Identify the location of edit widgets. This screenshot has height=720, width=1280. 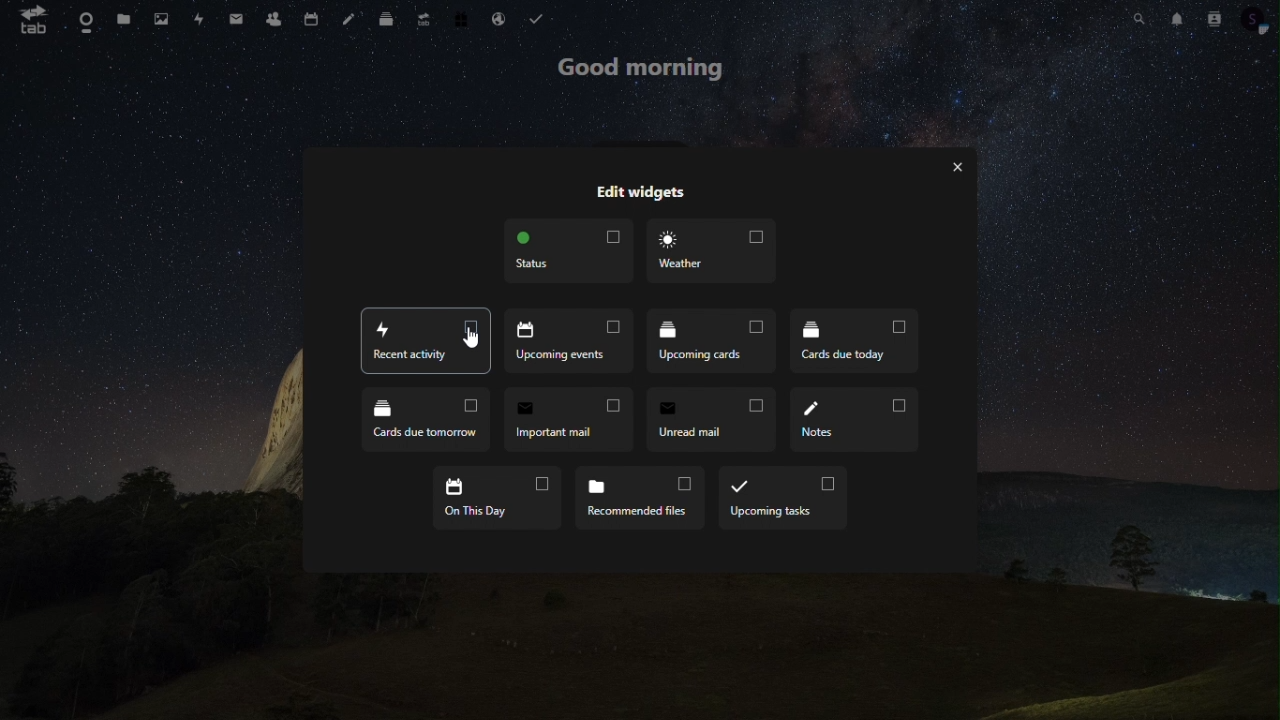
(639, 188).